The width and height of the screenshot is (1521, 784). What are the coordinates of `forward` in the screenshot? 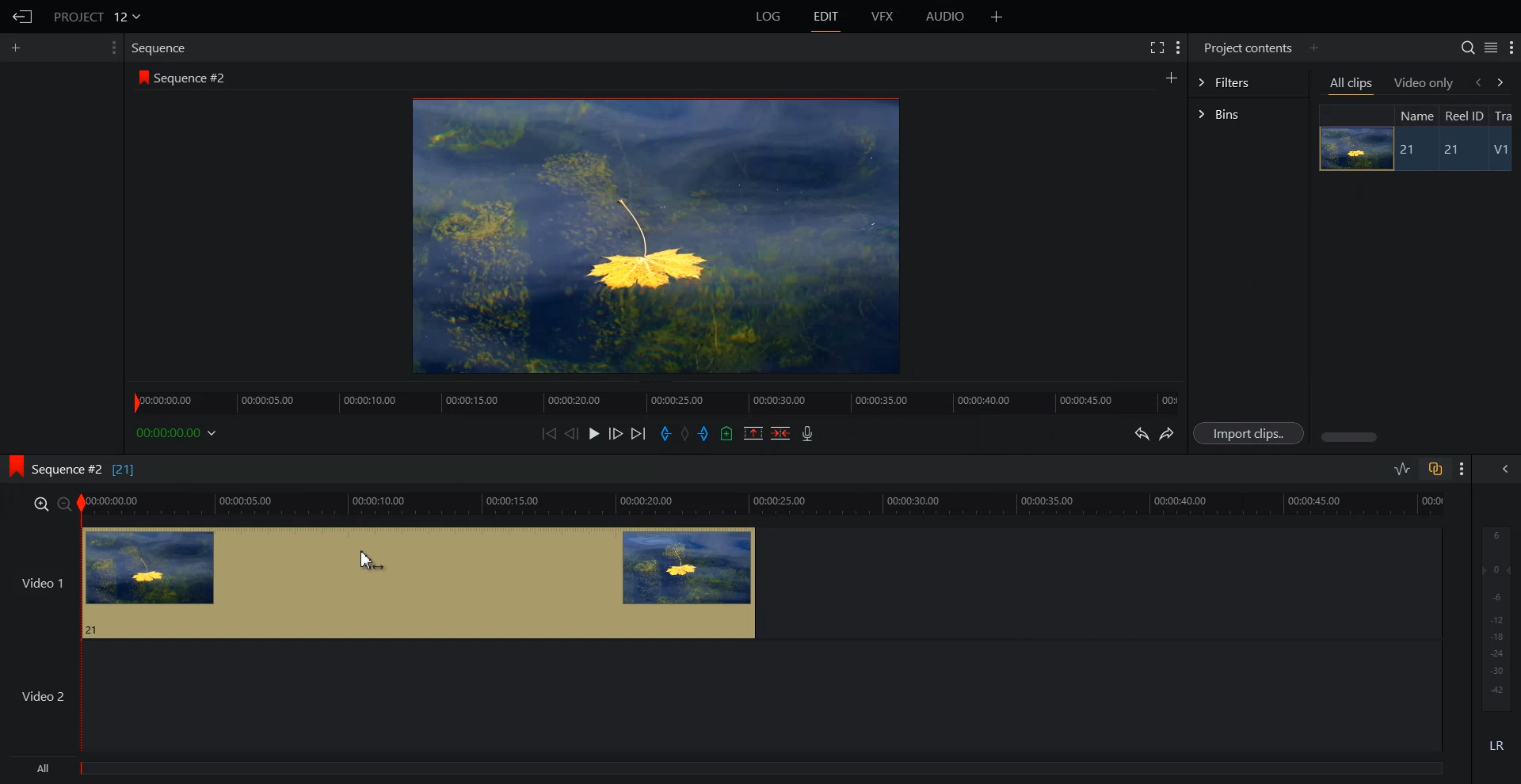 It's located at (1504, 82).